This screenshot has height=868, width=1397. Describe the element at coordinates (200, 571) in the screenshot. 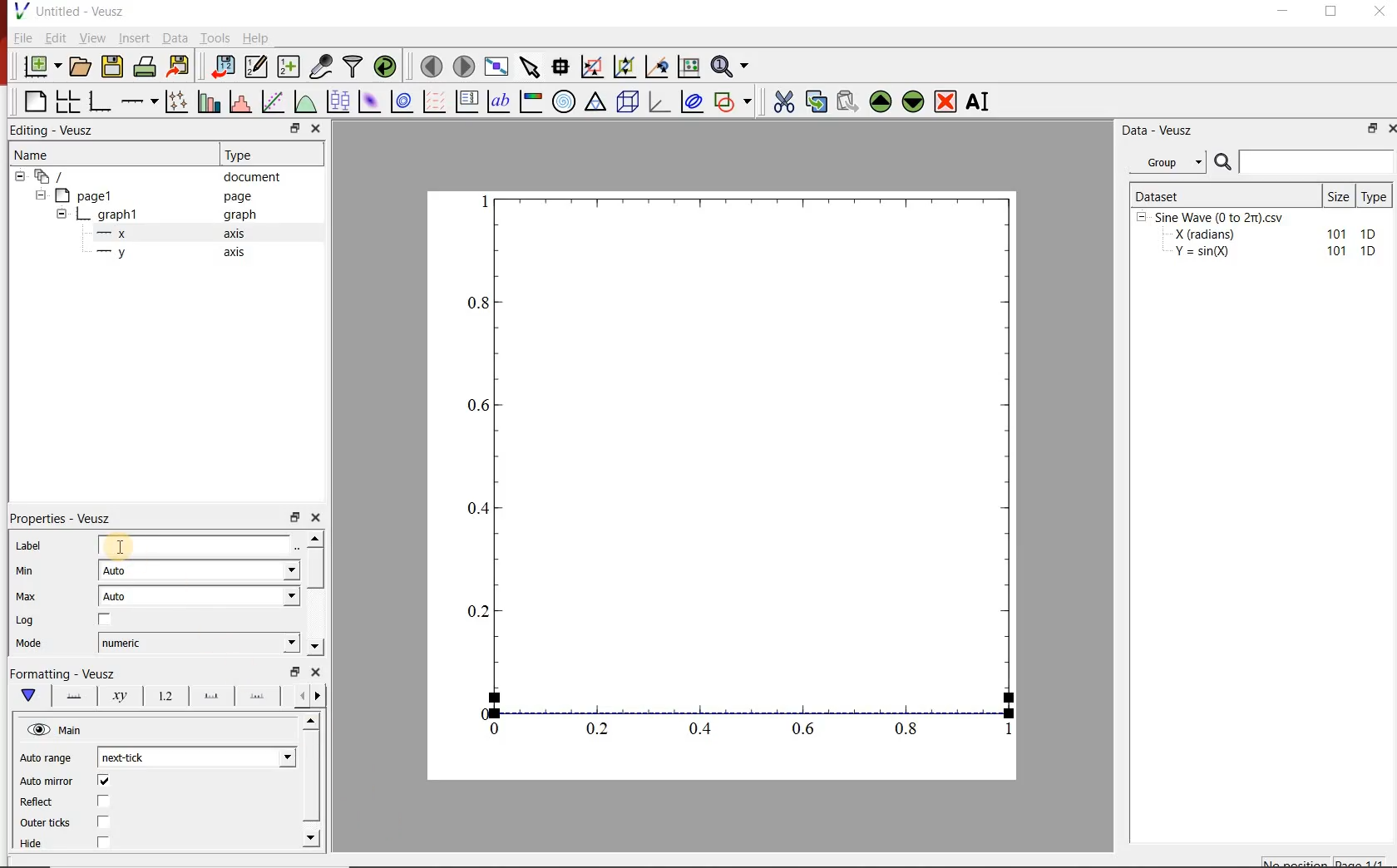

I see `Auto` at that location.